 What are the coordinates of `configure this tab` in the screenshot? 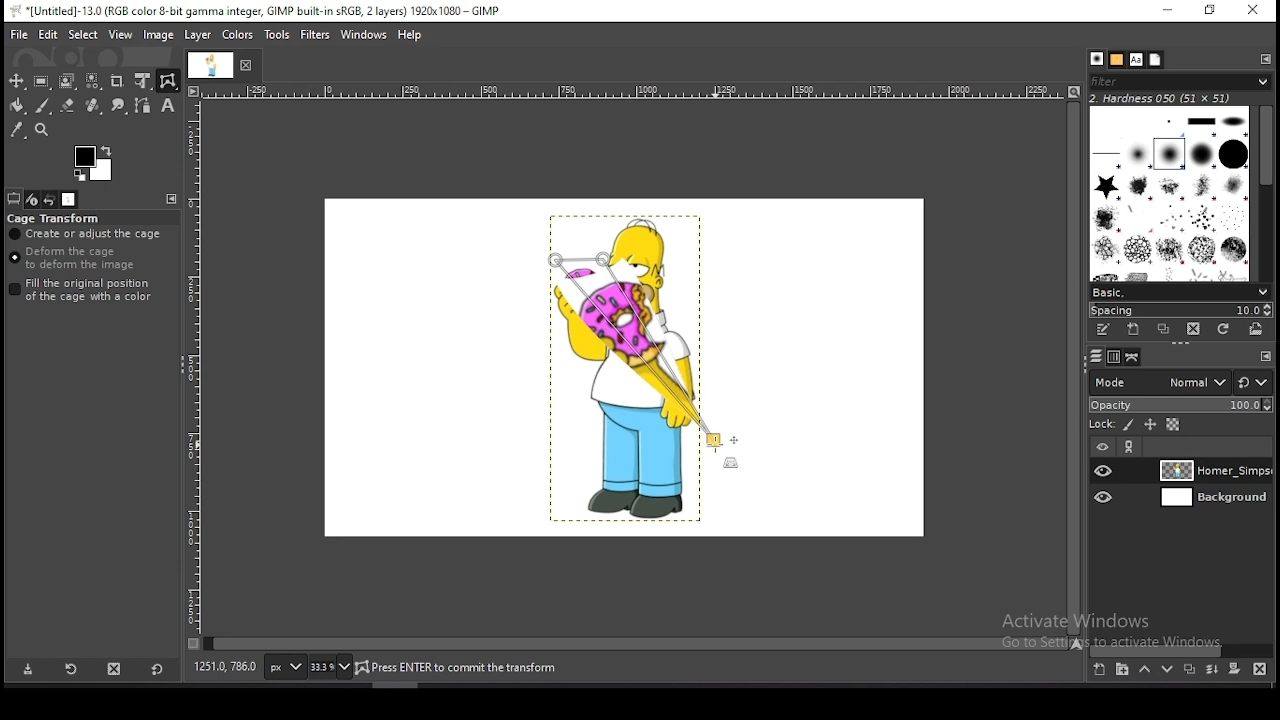 It's located at (1266, 355).